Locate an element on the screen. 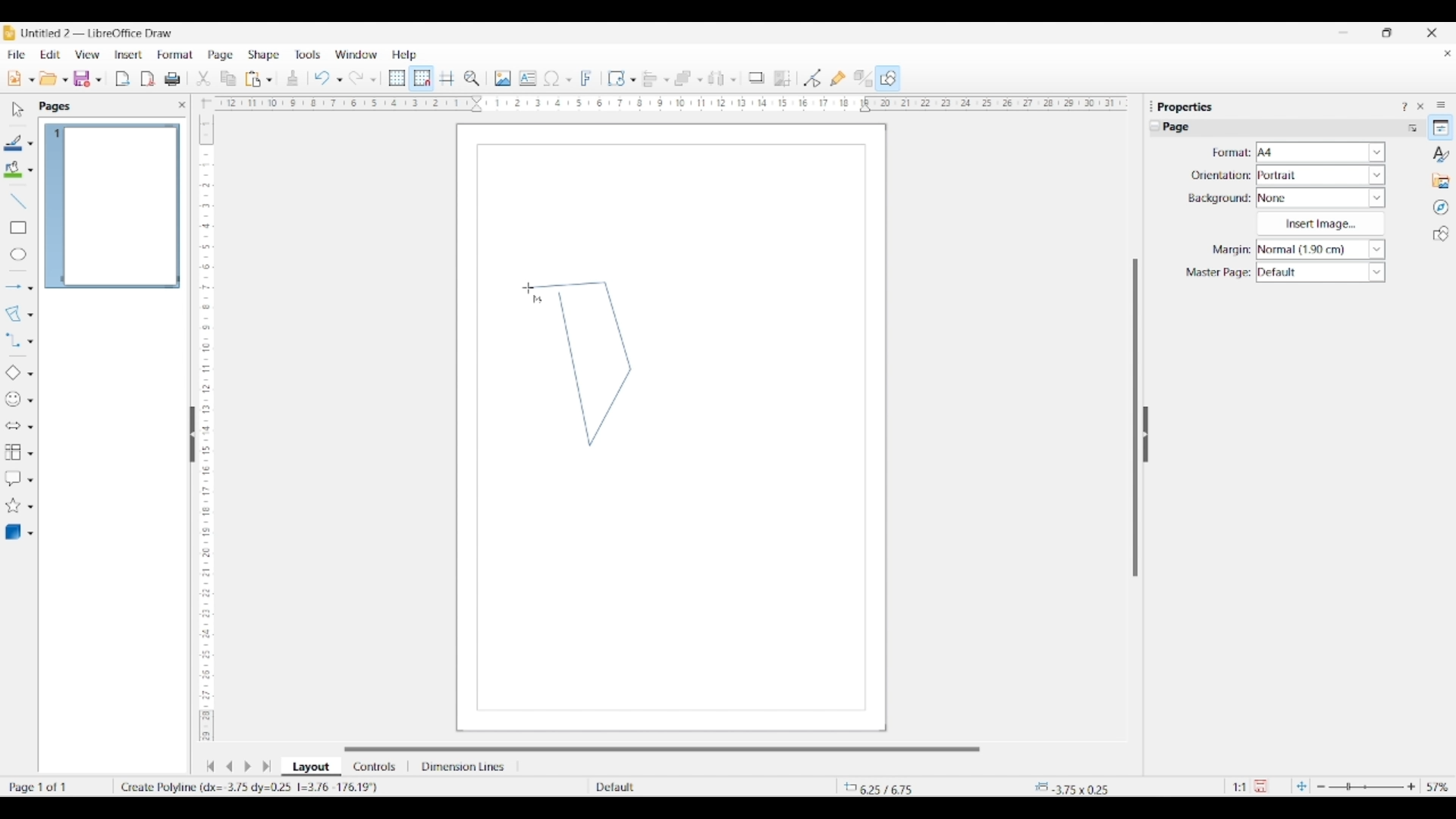 Image resolution: width=1456 pixels, height=819 pixels. Select is located at coordinates (18, 109).